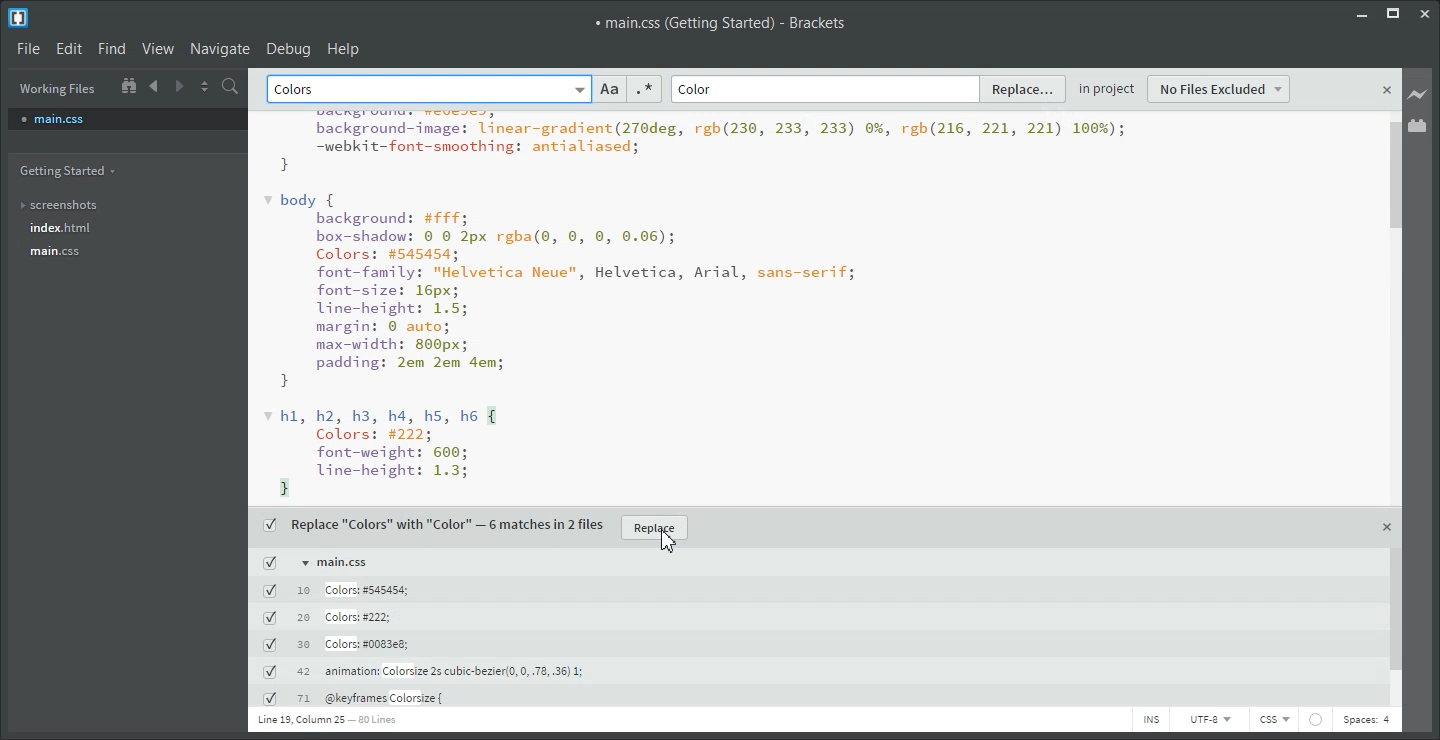  Describe the element at coordinates (358, 699) in the screenshot. I see `71 @keyframes Colorsize {` at that location.